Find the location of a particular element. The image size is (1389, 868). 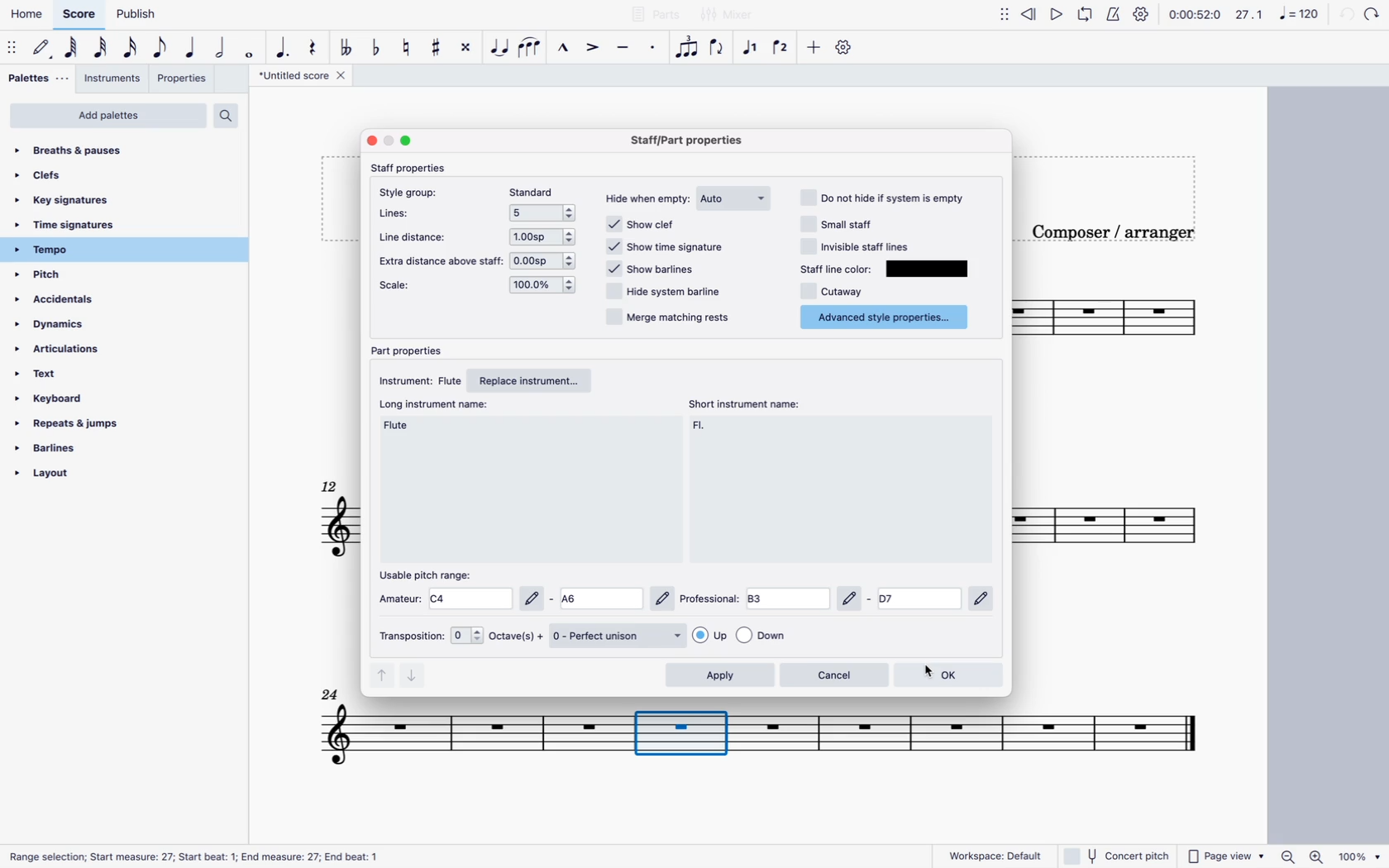

amateus is located at coordinates (400, 599).